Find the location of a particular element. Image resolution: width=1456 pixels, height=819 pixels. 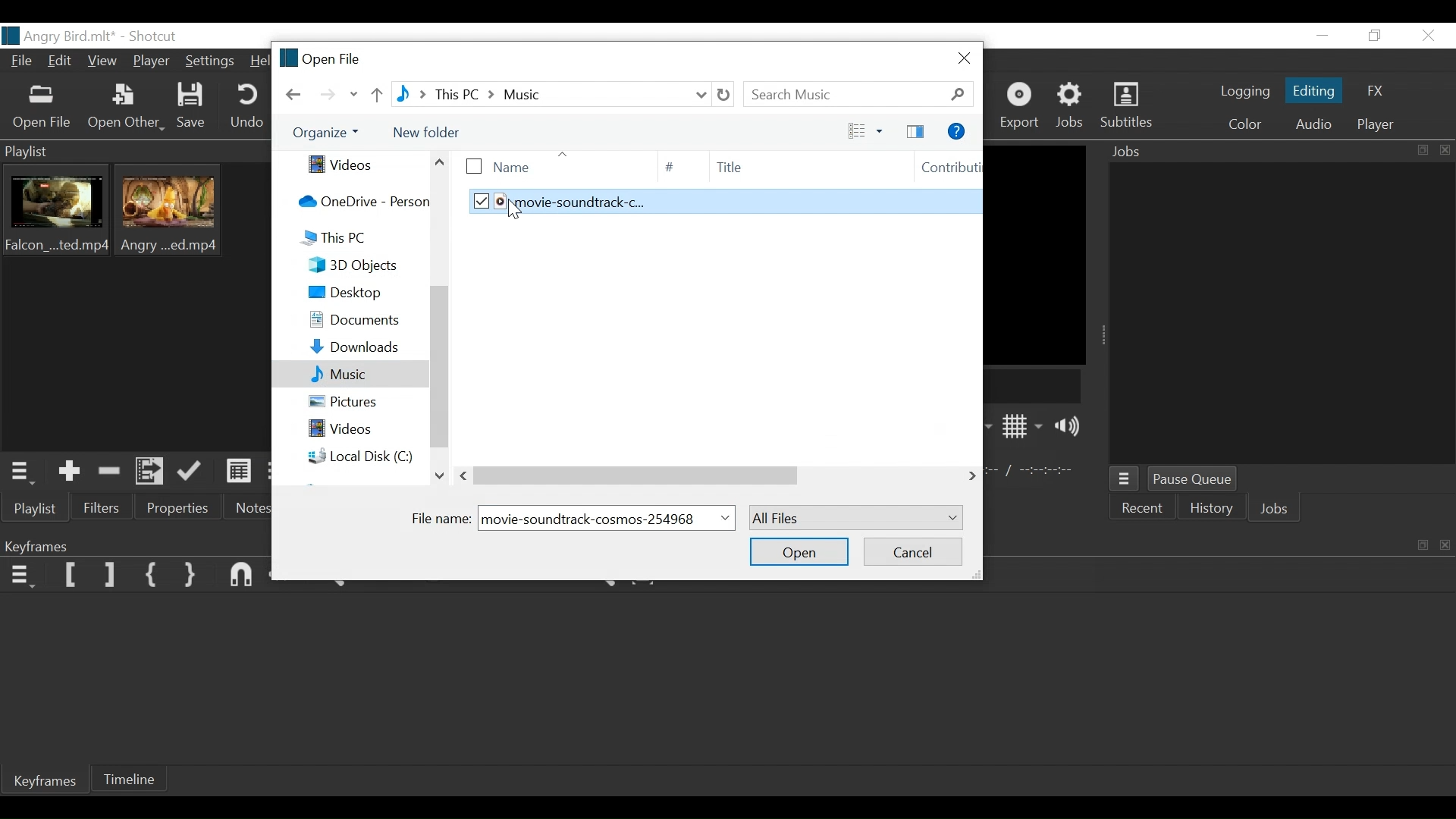

# is located at coordinates (670, 167).